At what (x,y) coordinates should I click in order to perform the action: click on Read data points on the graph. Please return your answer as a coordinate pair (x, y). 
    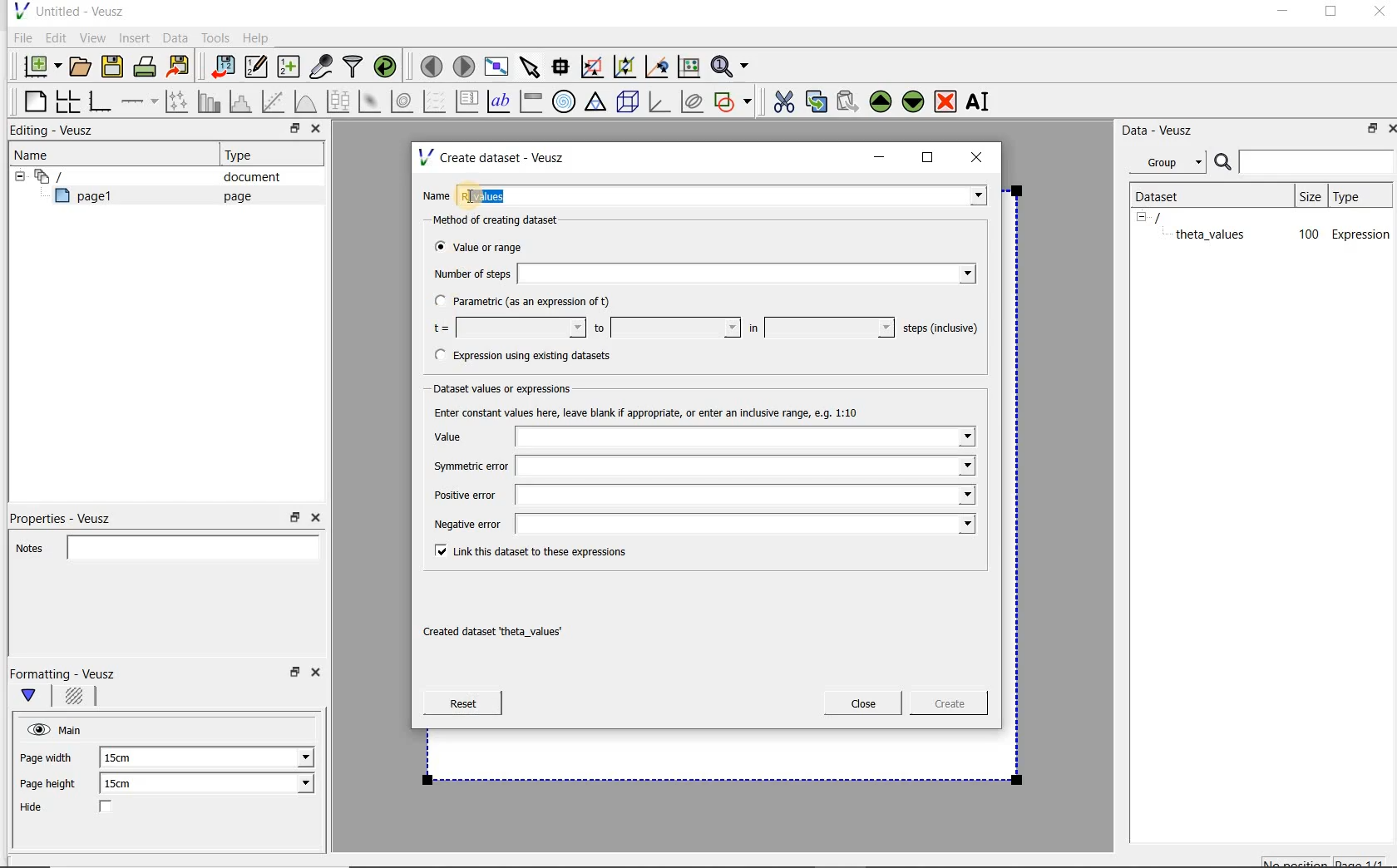
    Looking at the image, I should click on (563, 67).